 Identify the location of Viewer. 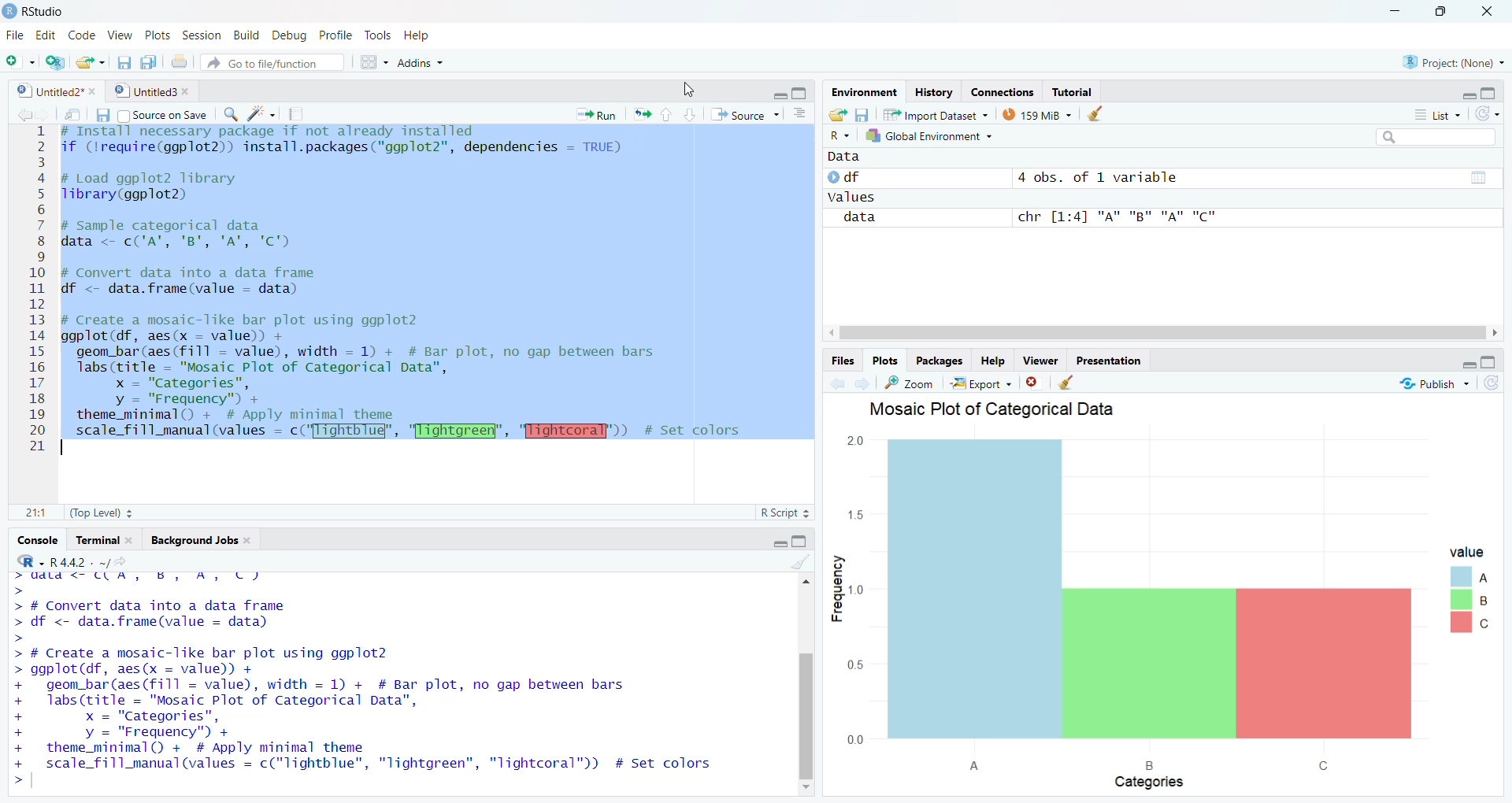
(1042, 361).